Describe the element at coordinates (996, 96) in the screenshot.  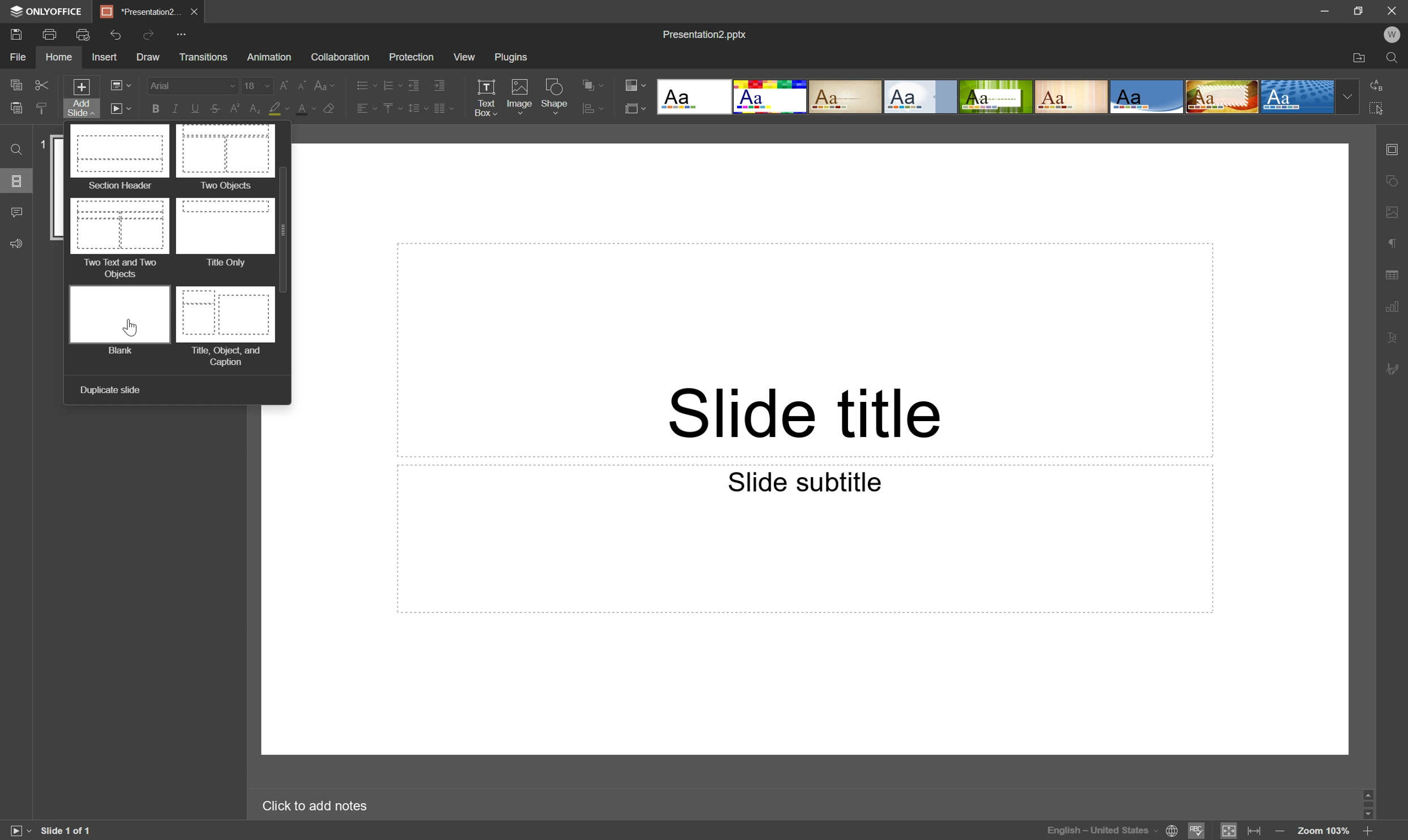
I see `Type of slides` at that location.